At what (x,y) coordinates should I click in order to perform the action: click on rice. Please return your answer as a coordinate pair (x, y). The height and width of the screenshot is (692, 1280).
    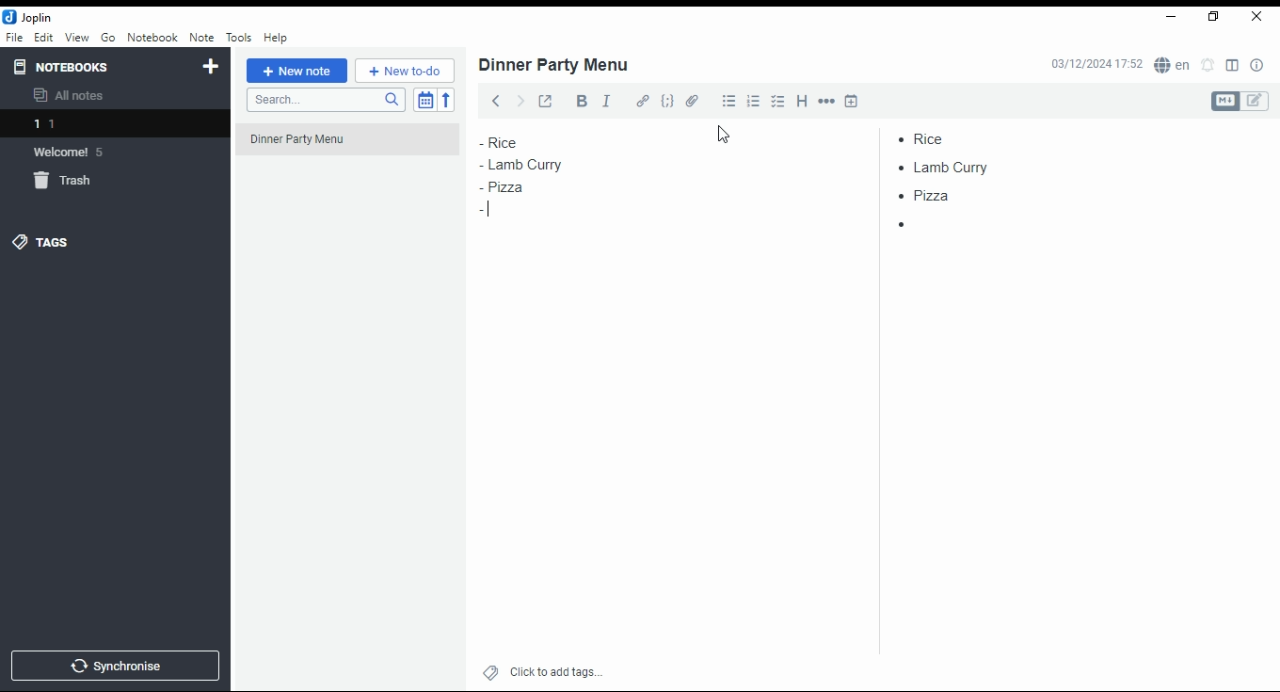
    Looking at the image, I should click on (946, 136).